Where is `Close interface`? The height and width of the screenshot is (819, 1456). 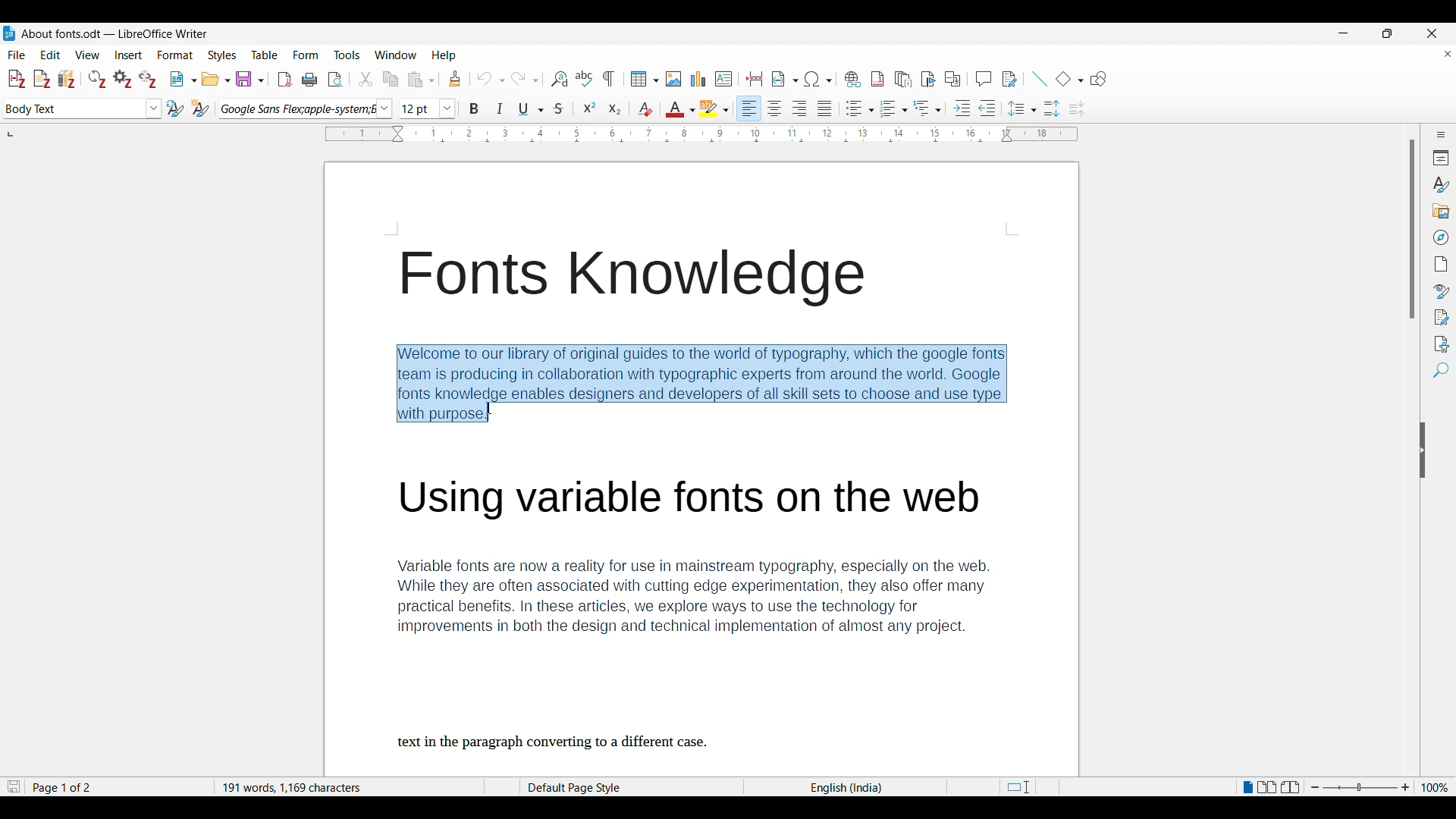
Close interface is located at coordinates (1432, 33).